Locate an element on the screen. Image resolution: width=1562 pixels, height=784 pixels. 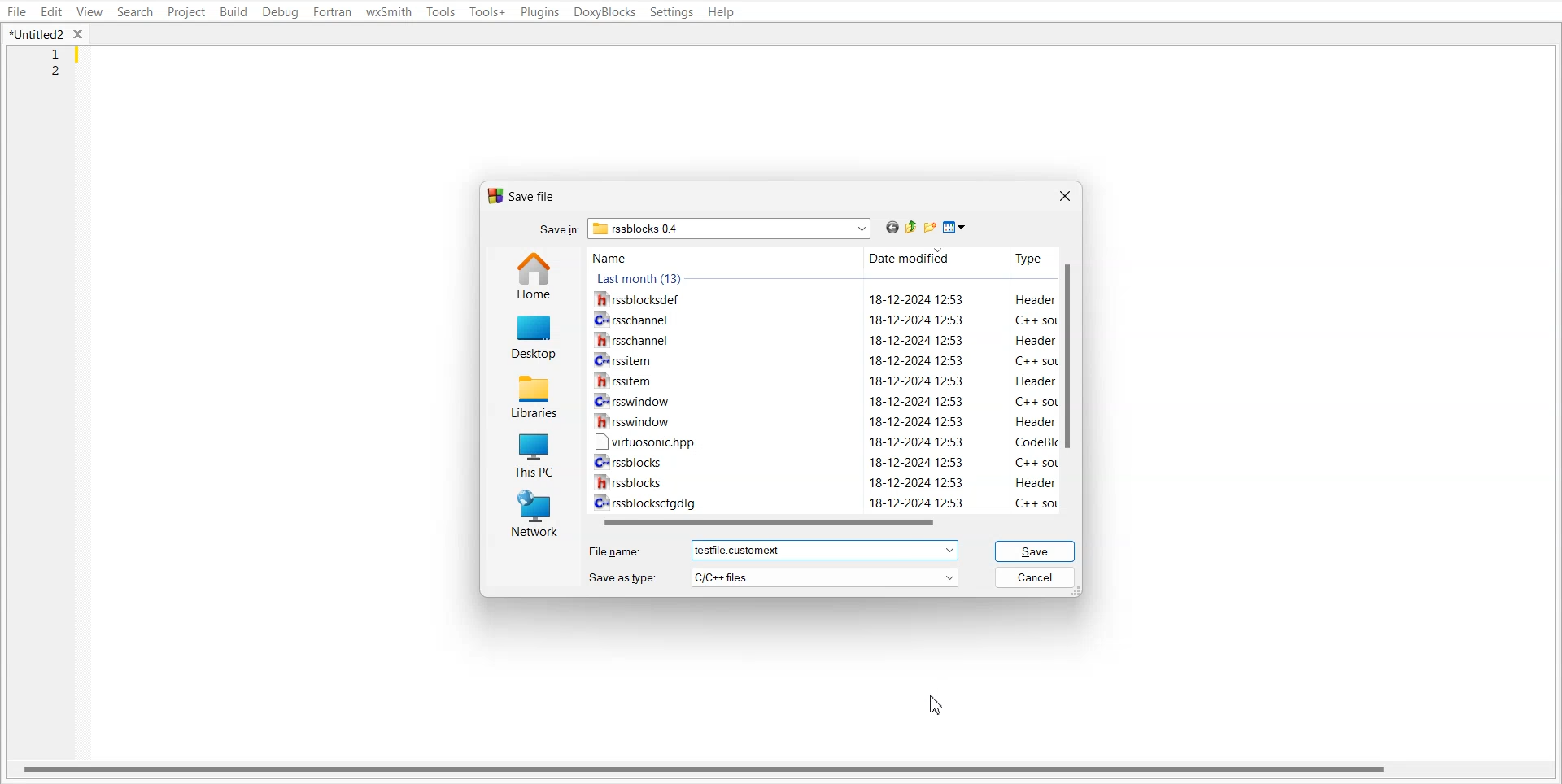
Type is located at coordinates (1029, 258).